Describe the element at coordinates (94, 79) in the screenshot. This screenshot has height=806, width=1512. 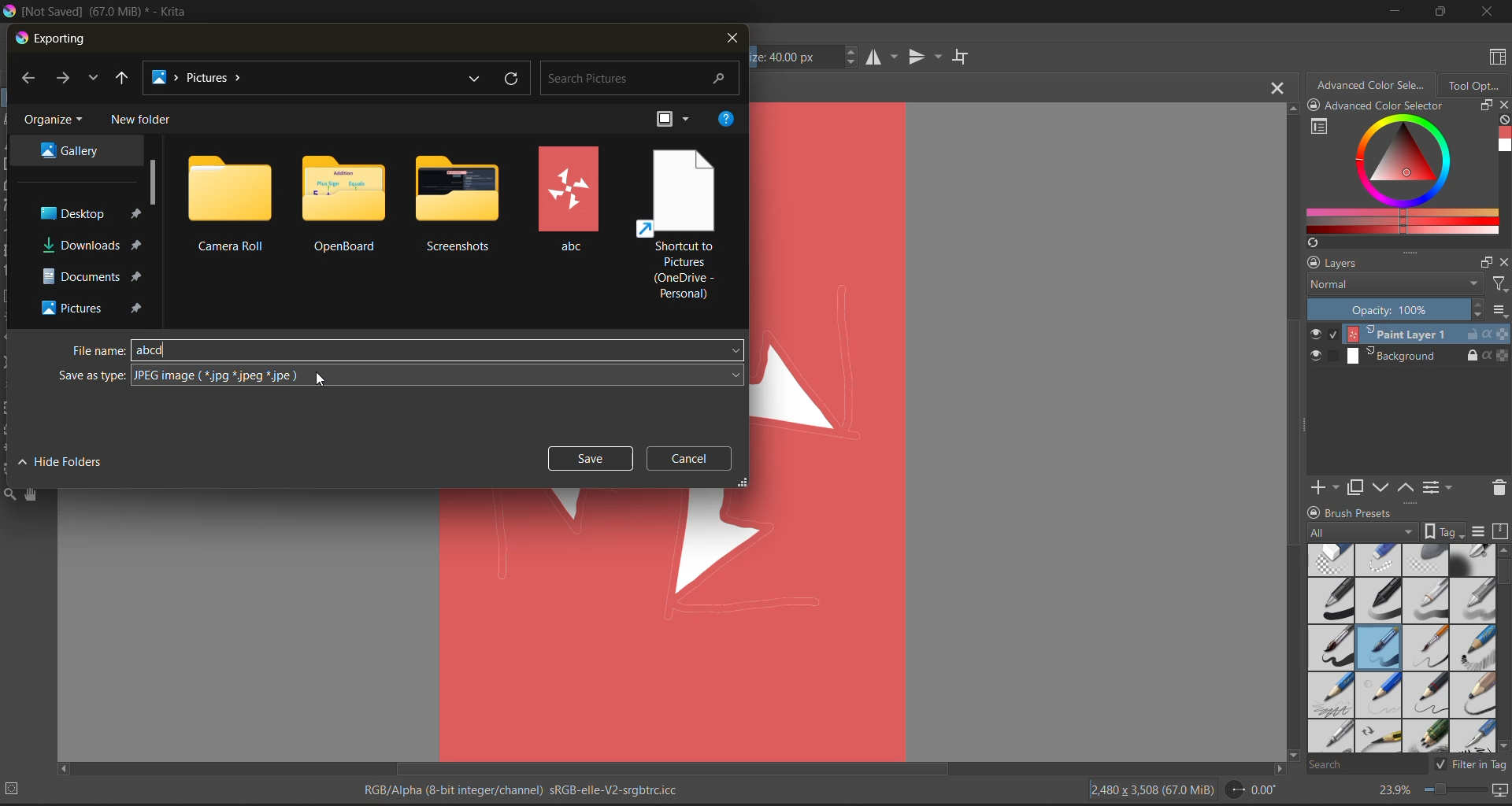
I see `recent ` at that location.